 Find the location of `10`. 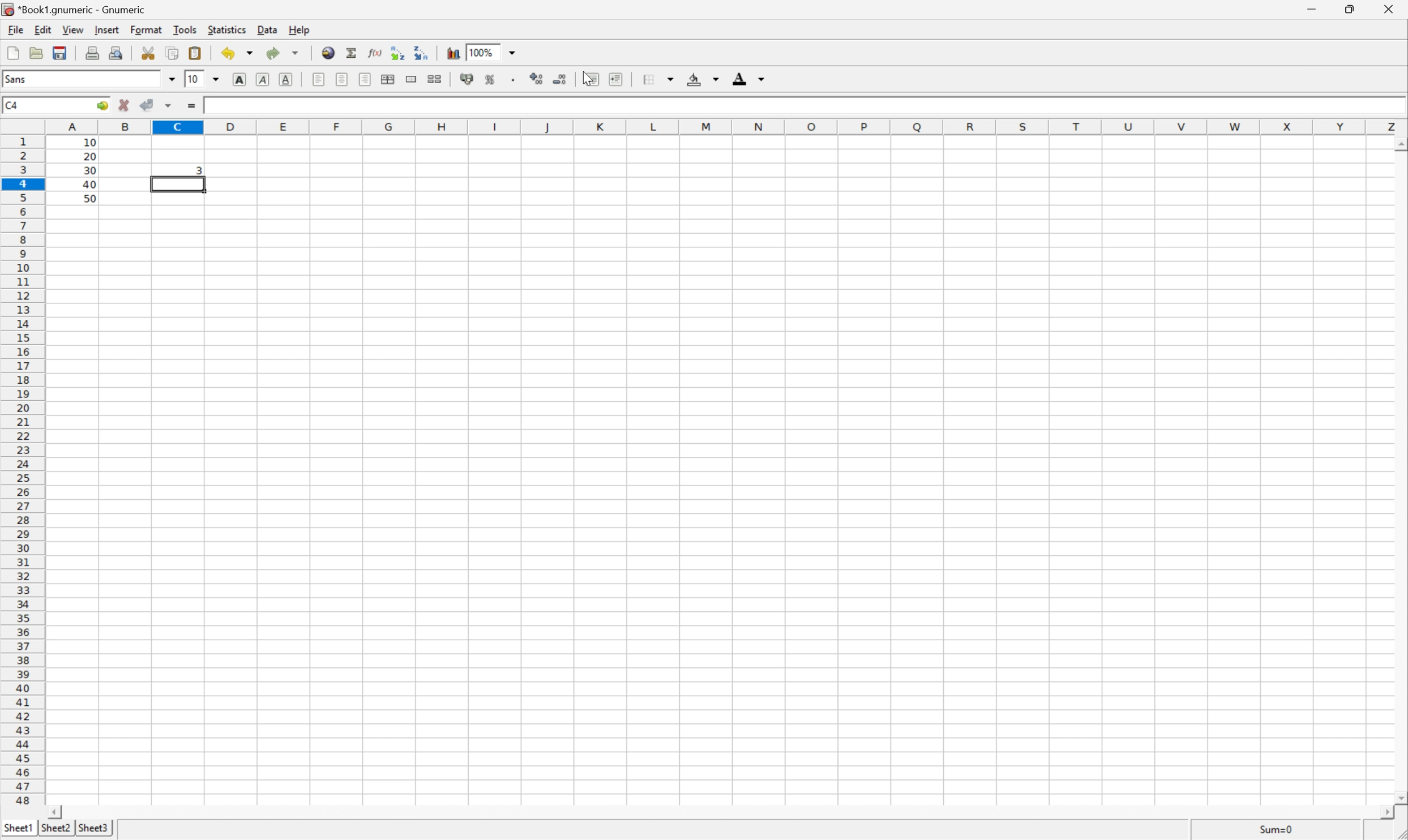

10 is located at coordinates (191, 79).